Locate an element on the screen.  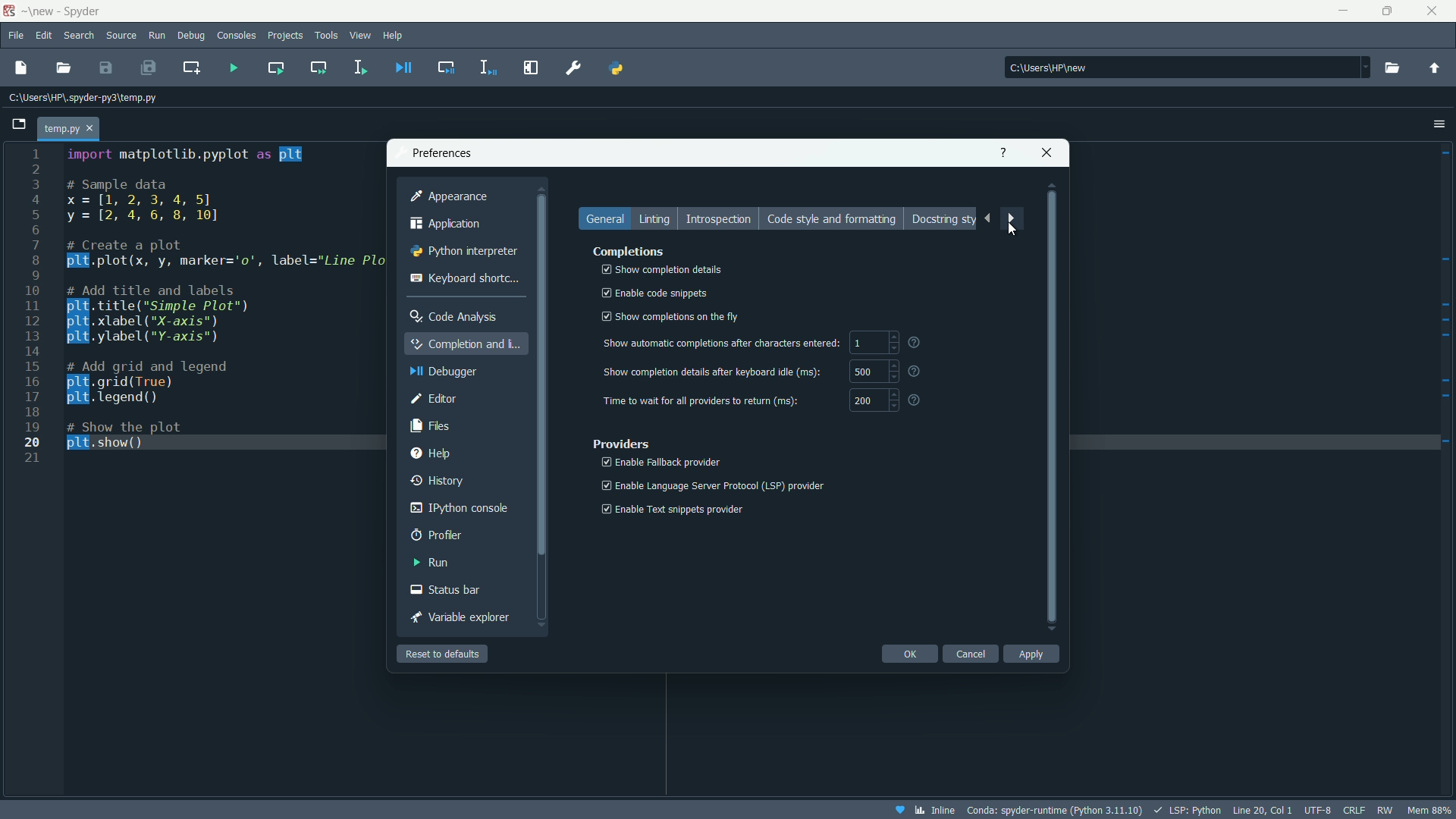
debug cell is located at coordinates (445, 66).